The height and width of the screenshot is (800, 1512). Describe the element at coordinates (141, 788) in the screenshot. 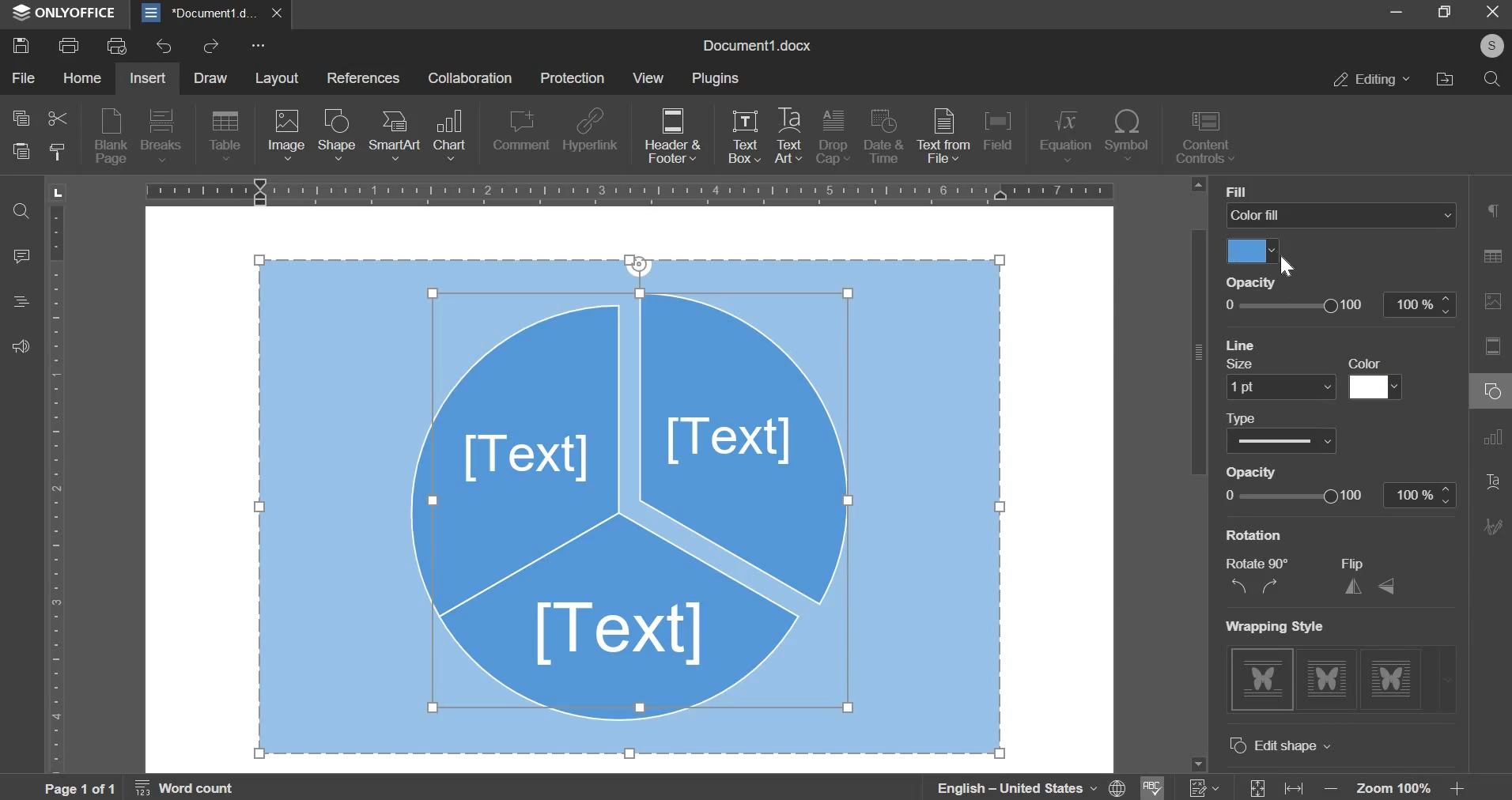

I see `page and word count` at that location.